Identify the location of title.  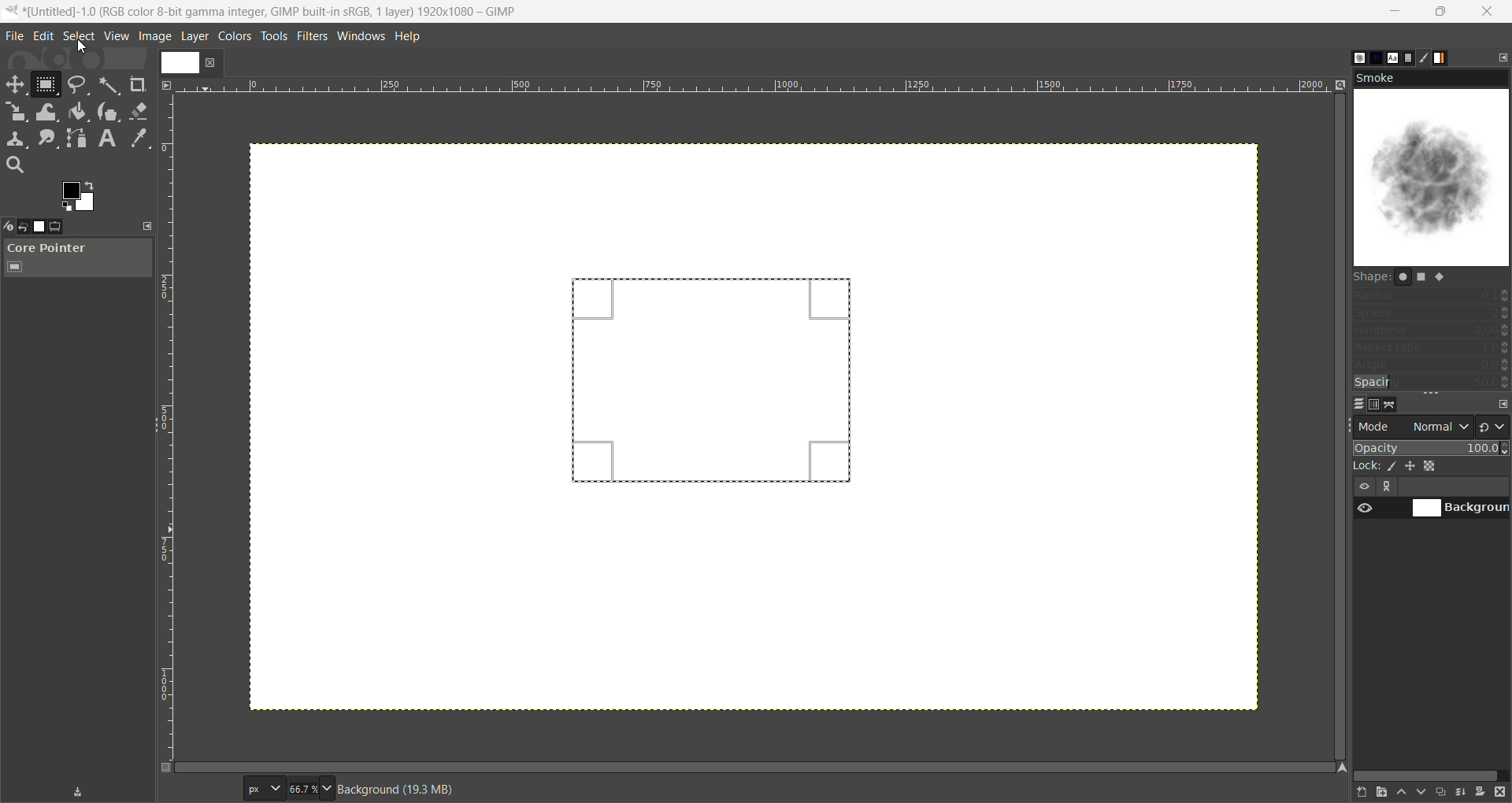
(272, 11).